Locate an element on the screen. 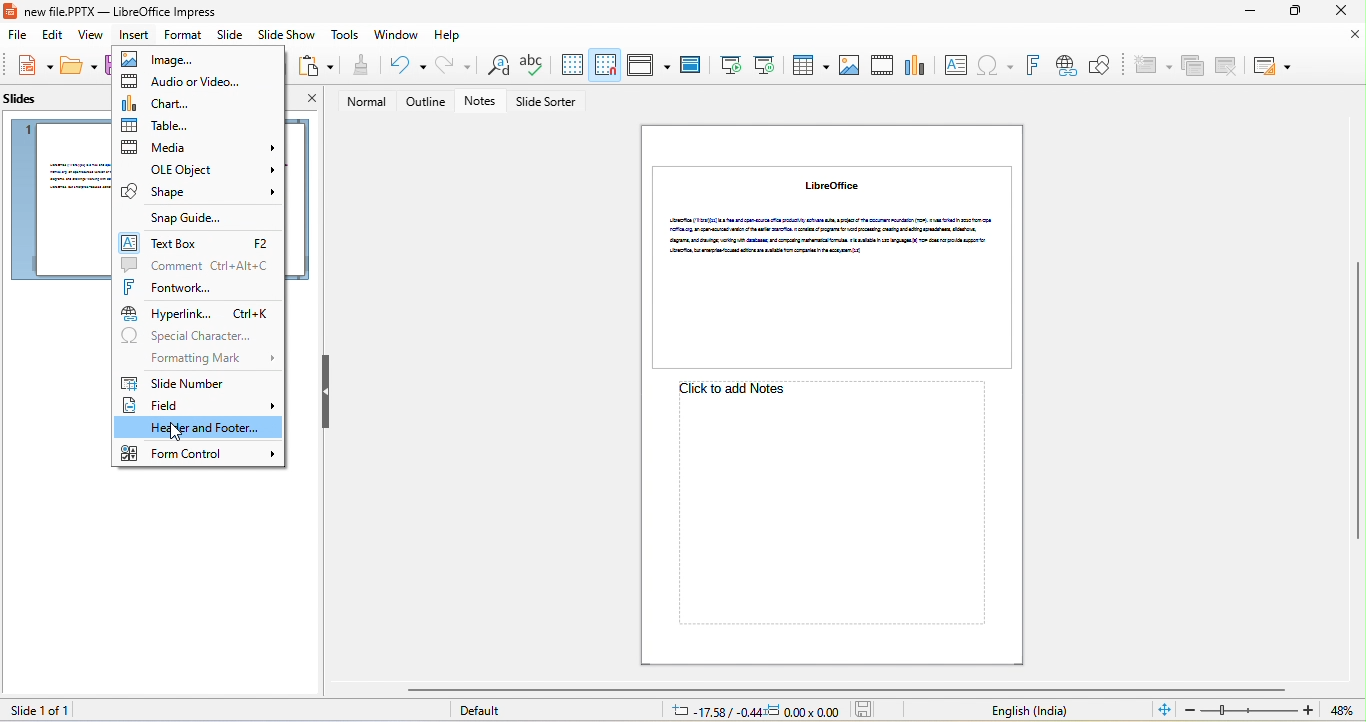  table is located at coordinates (190, 125).